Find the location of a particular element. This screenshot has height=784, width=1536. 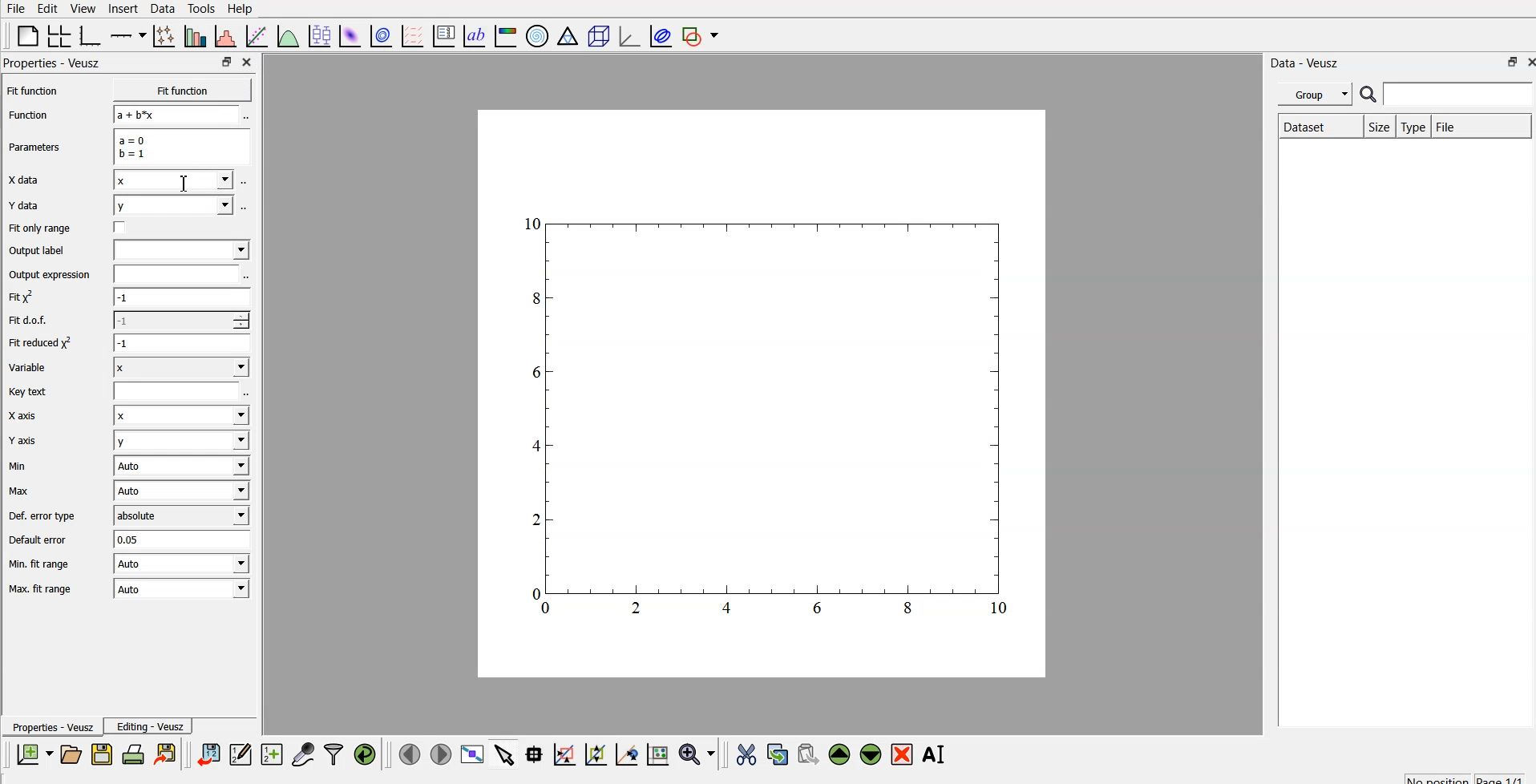

fit y^2 is located at coordinates (38, 298).